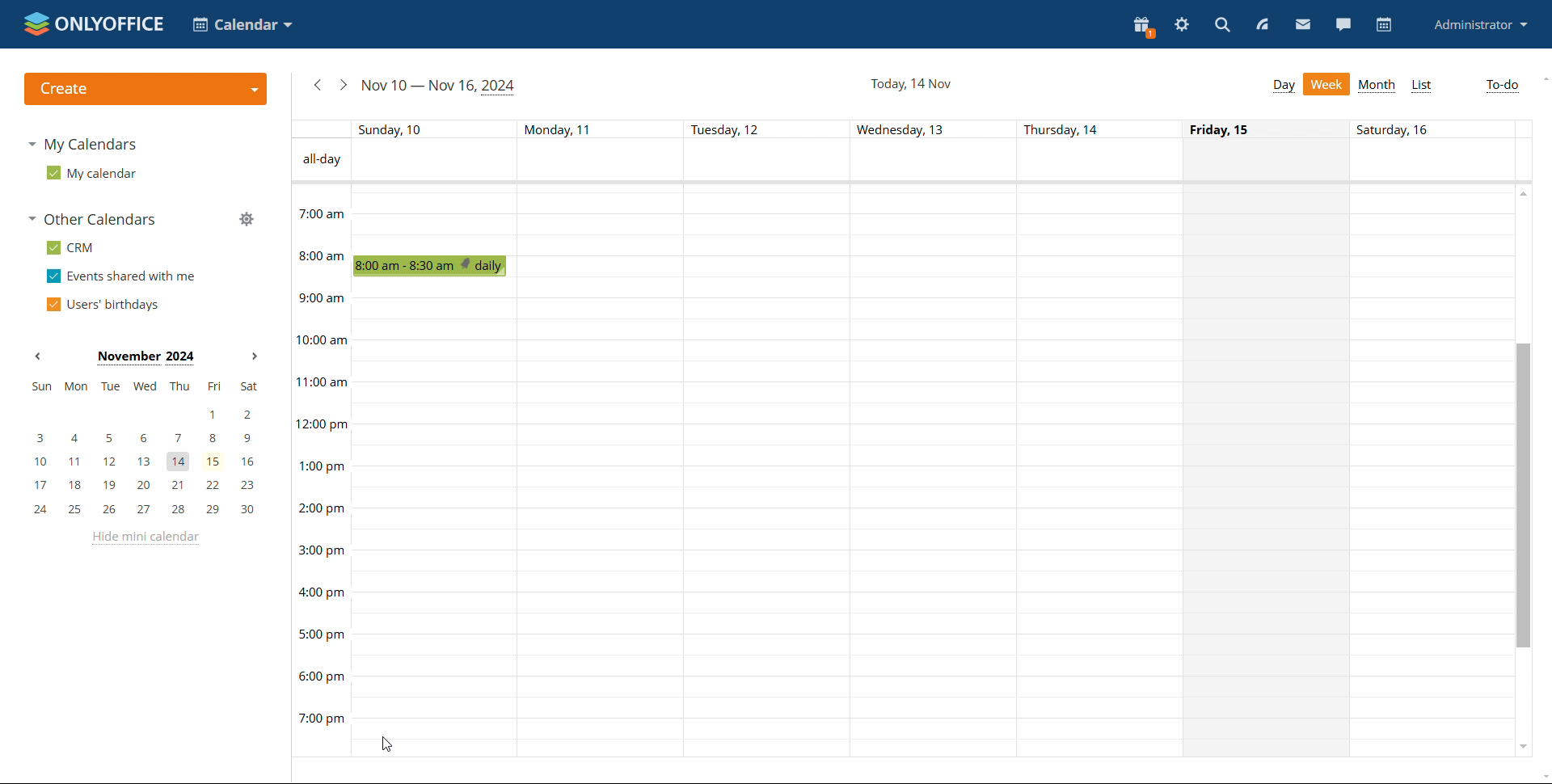 This screenshot has width=1552, height=784. What do you see at coordinates (1382, 25) in the screenshot?
I see `calendar` at bounding box center [1382, 25].